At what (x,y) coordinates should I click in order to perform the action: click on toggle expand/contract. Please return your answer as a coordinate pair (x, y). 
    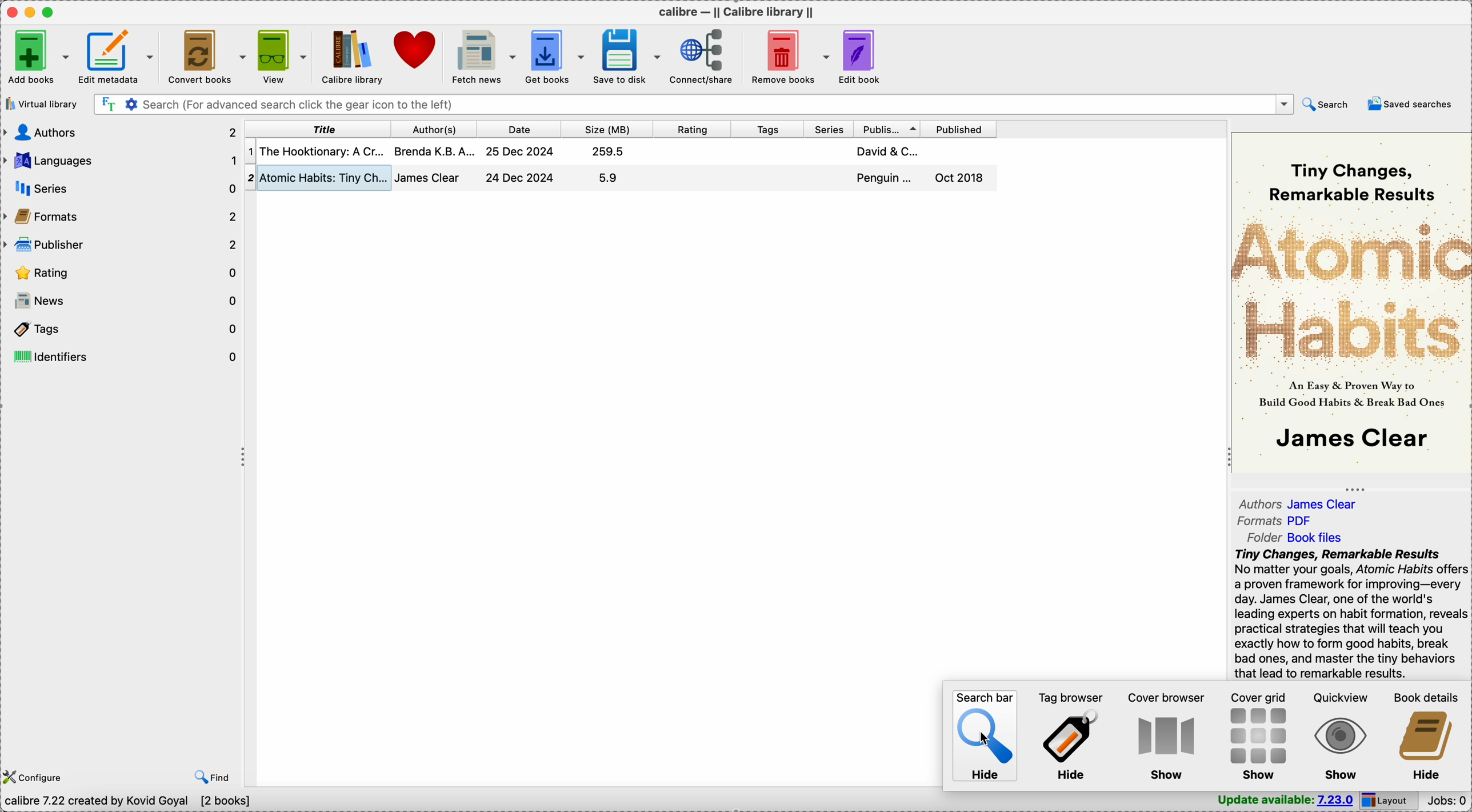
    Looking at the image, I should click on (1230, 456).